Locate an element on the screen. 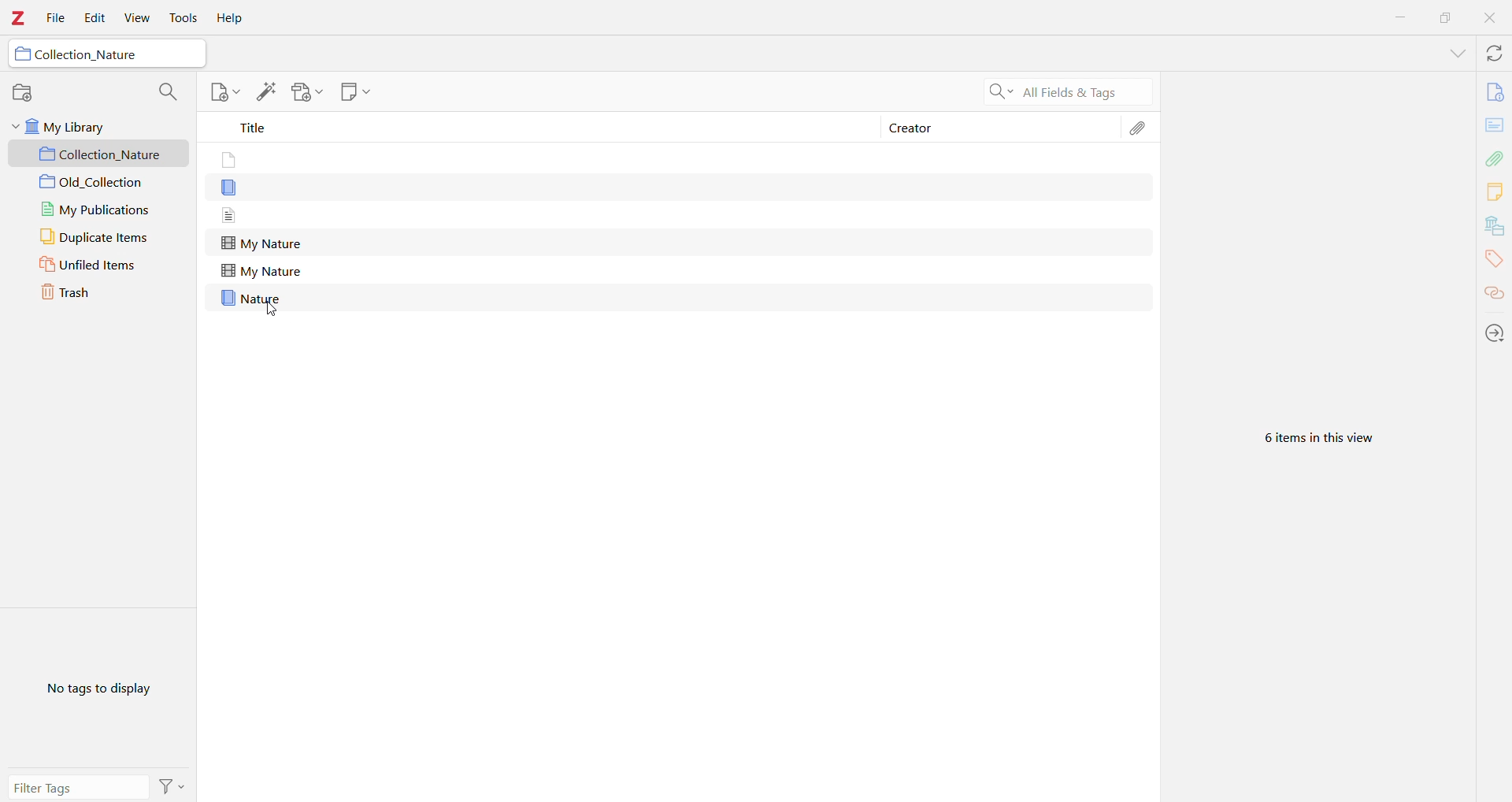 This screenshot has height=802, width=1512. Trash is located at coordinates (84, 291).